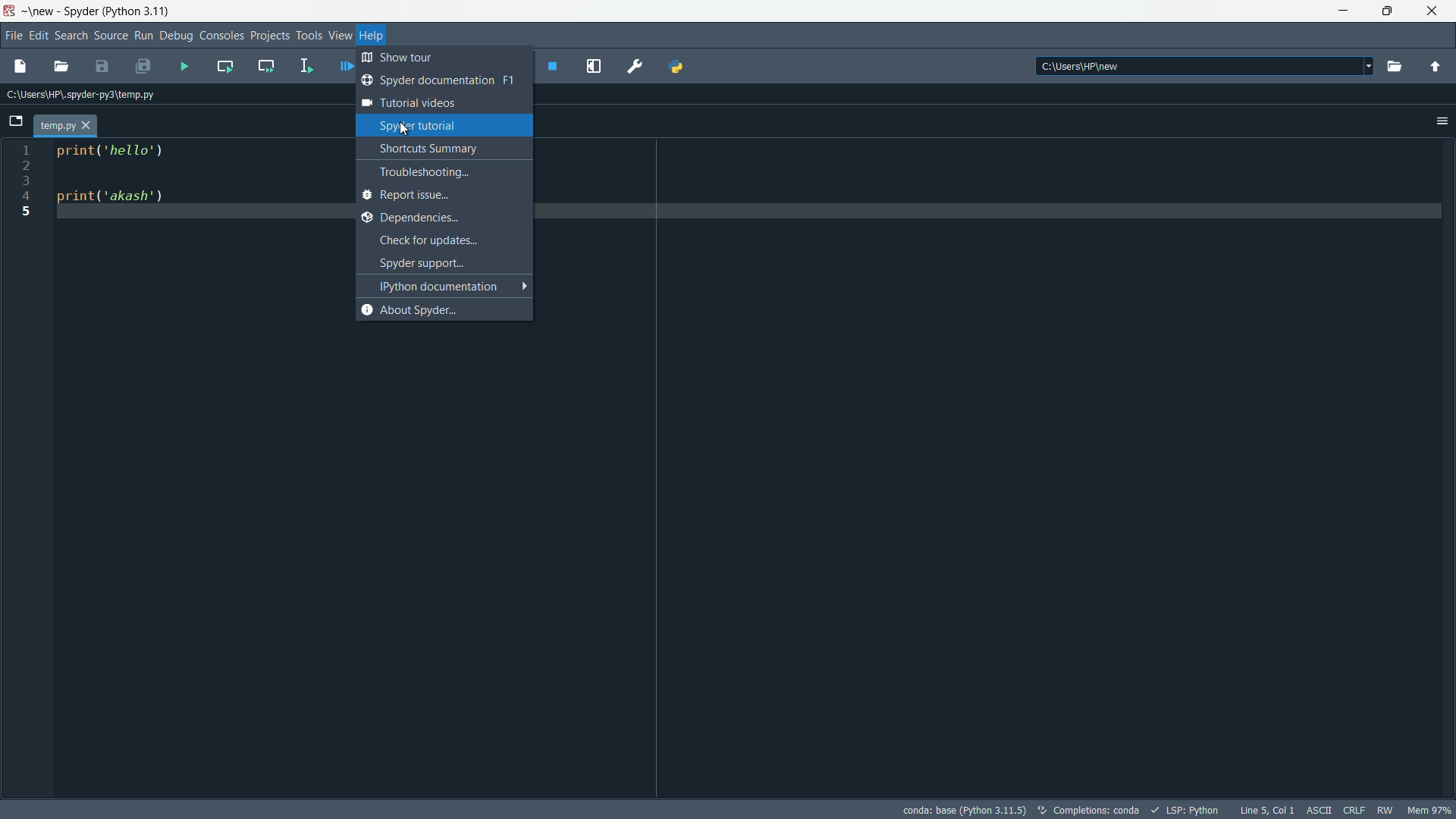 The width and height of the screenshot is (1456, 819). What do you see at coordinates (375, 36) in the screenshot?
I see `help menu` at bounding box center [375, 36].